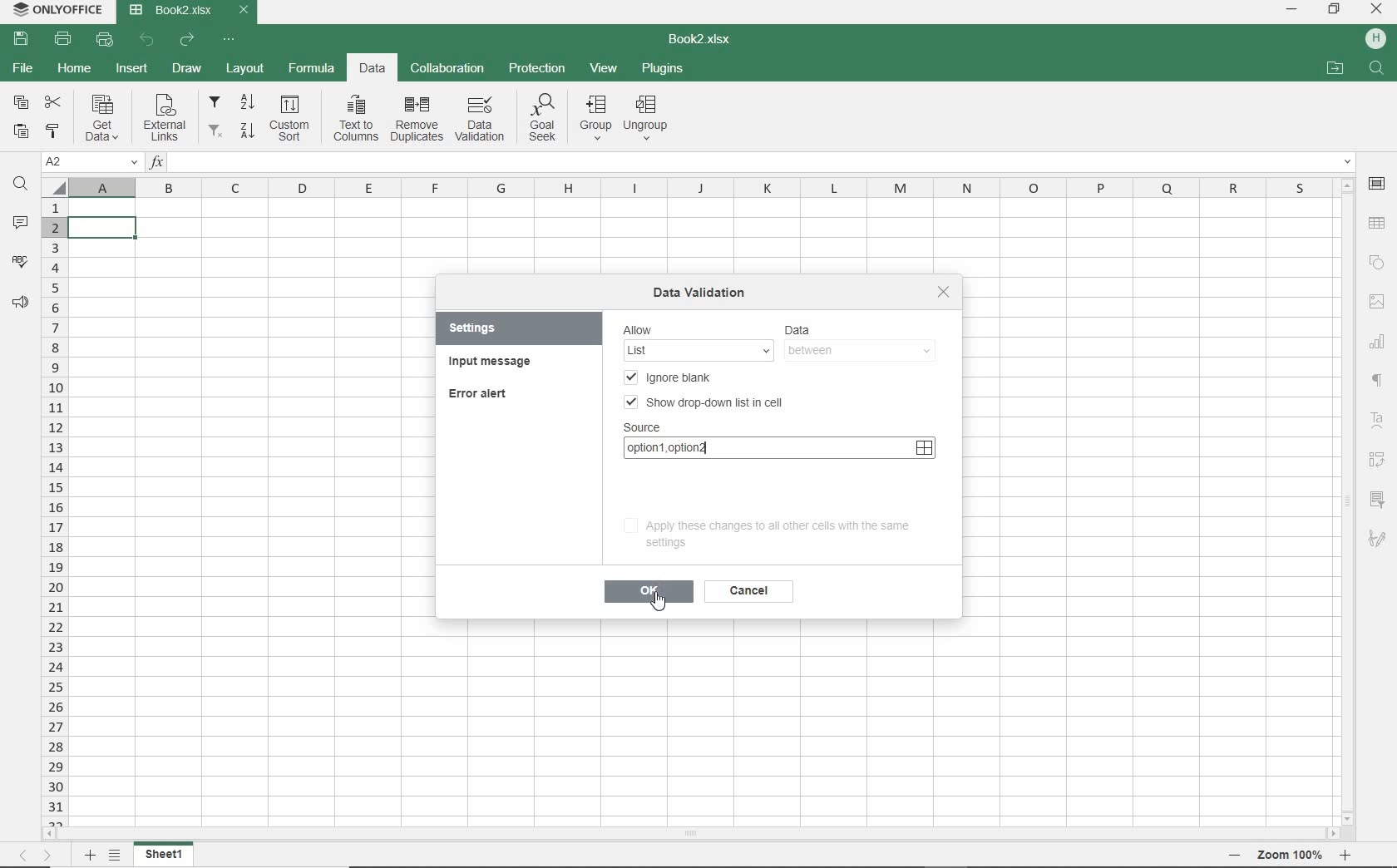 The height and width of the screenshot is (868, 1397). Describe the element at coordinates (1376, 538) in the screenshot. I see `SIGNATURE` at that location.